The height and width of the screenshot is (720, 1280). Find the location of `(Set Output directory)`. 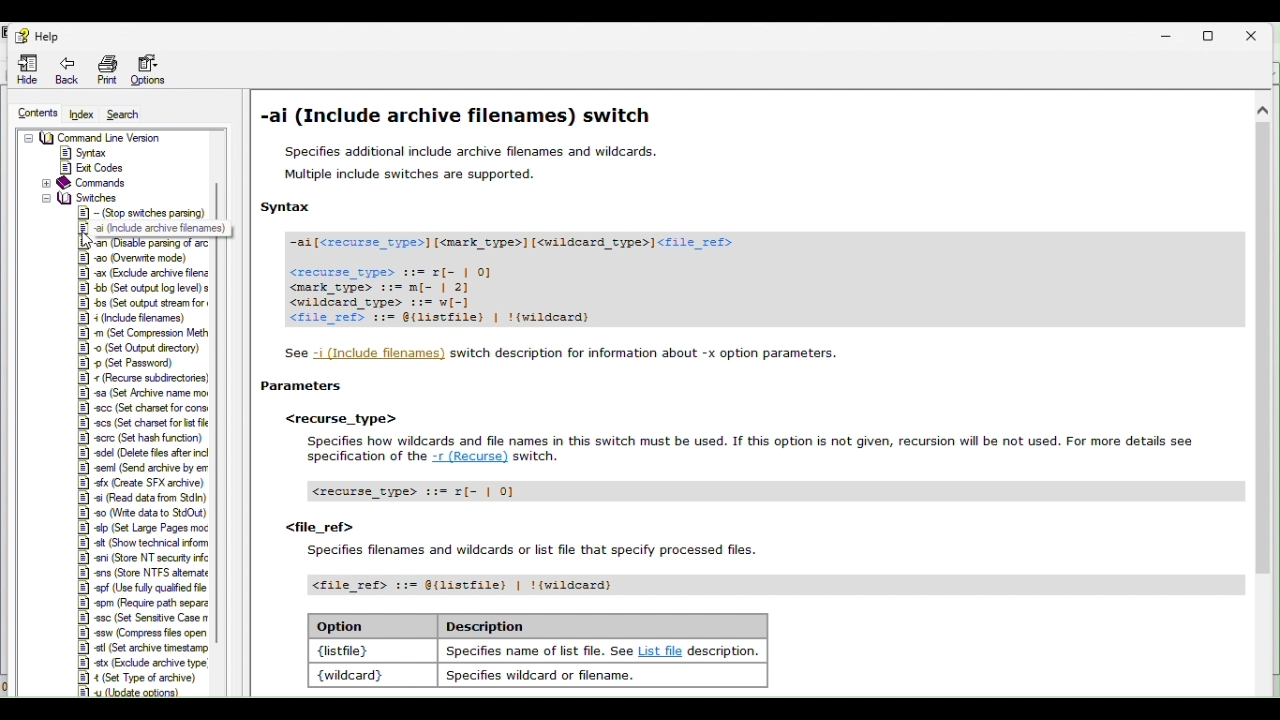

(Set Output directory) is located at coordinates (141, 346).